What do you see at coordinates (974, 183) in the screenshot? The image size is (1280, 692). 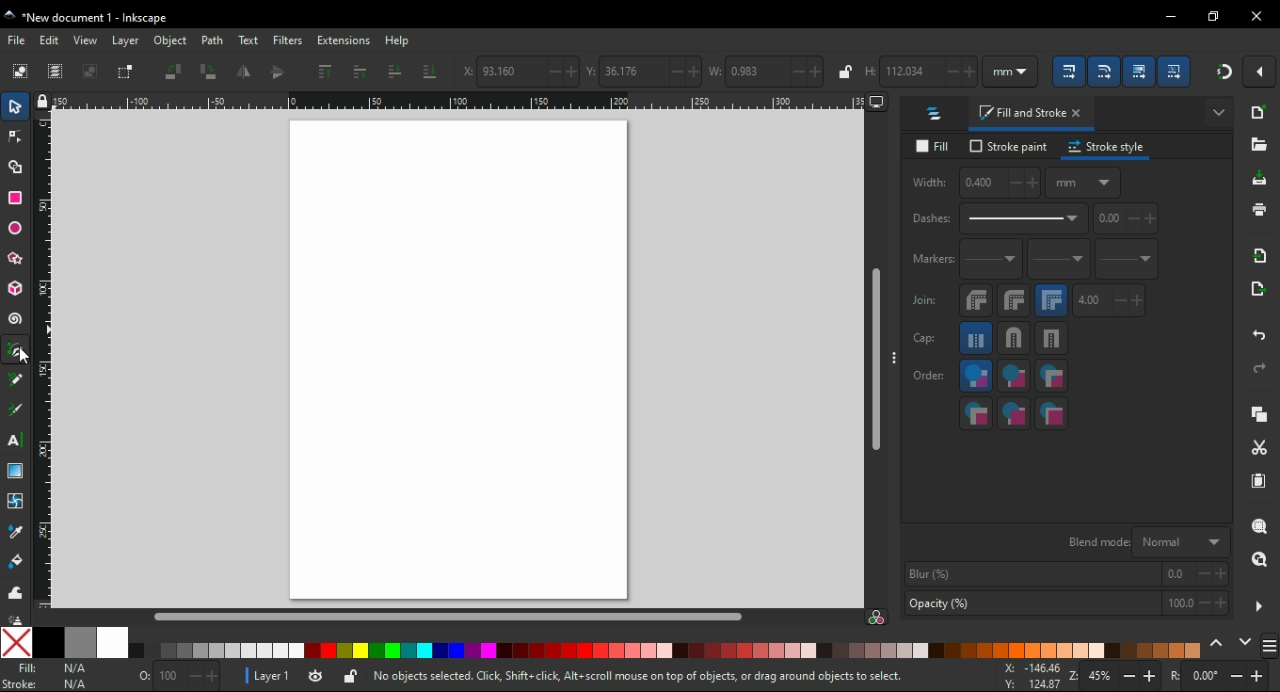 I see `width` at bounding box center [974, 183].